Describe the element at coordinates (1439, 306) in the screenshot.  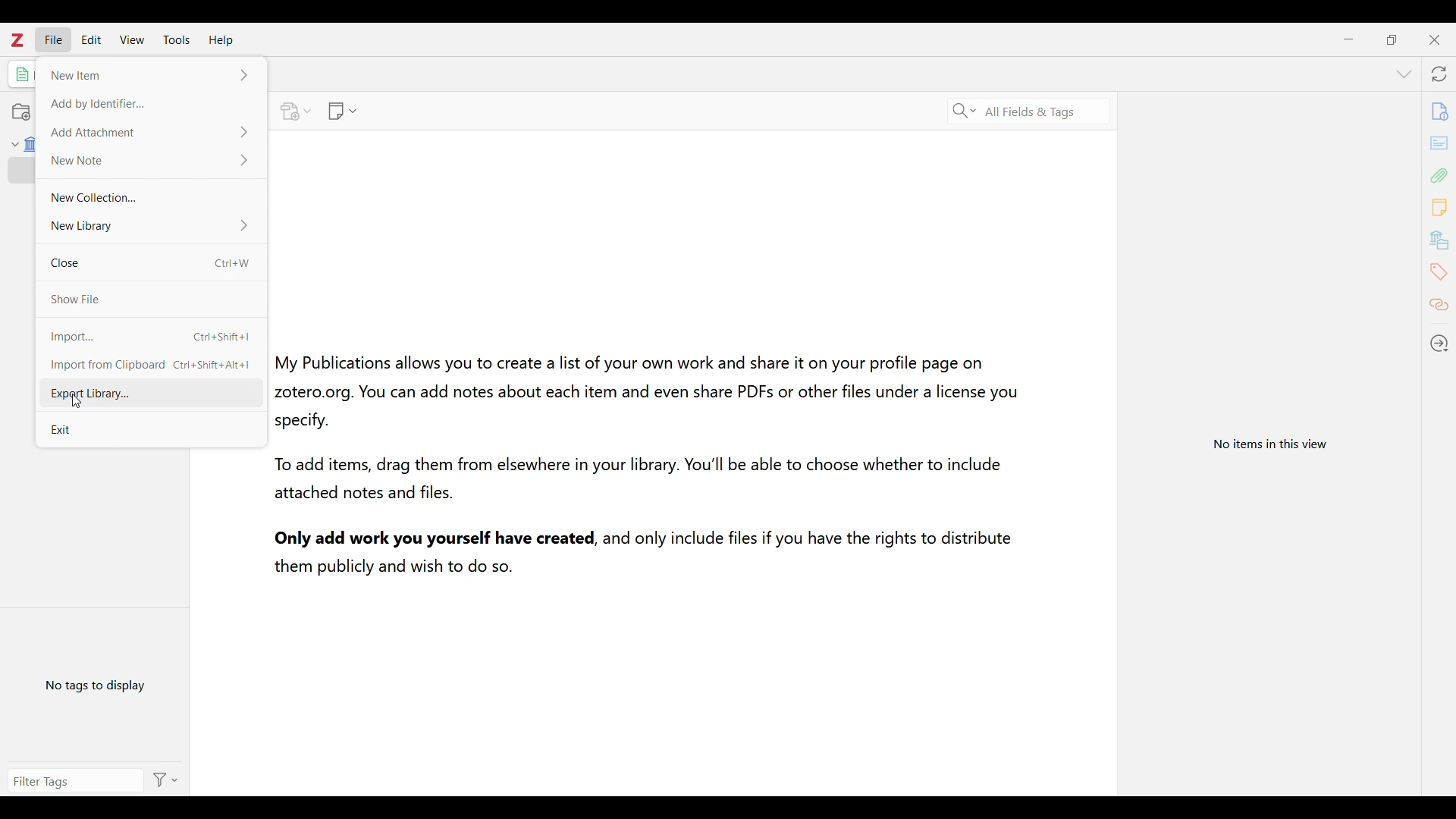
I see `Related` at that location.